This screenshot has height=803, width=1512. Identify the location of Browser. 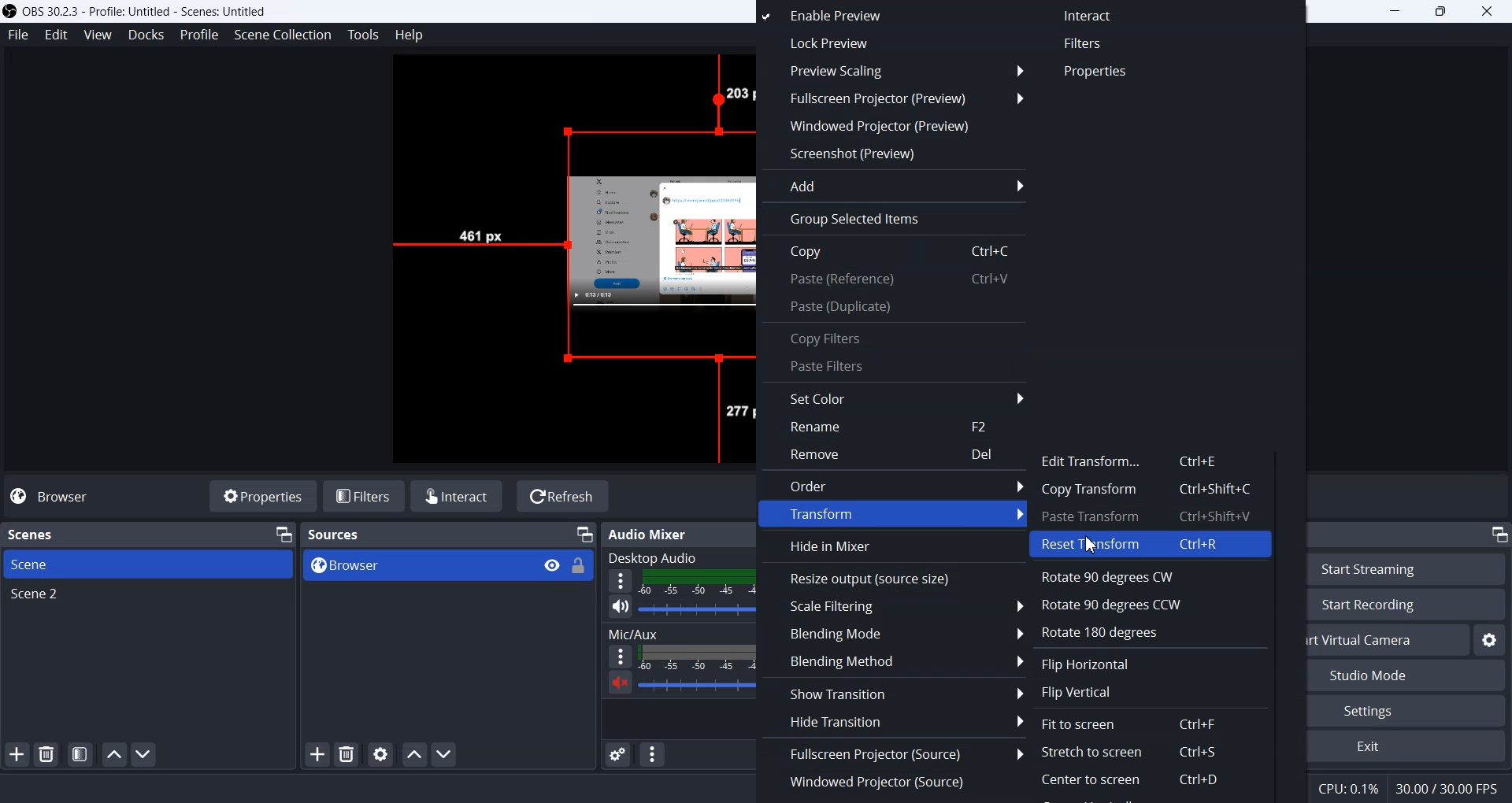
(405, 565).